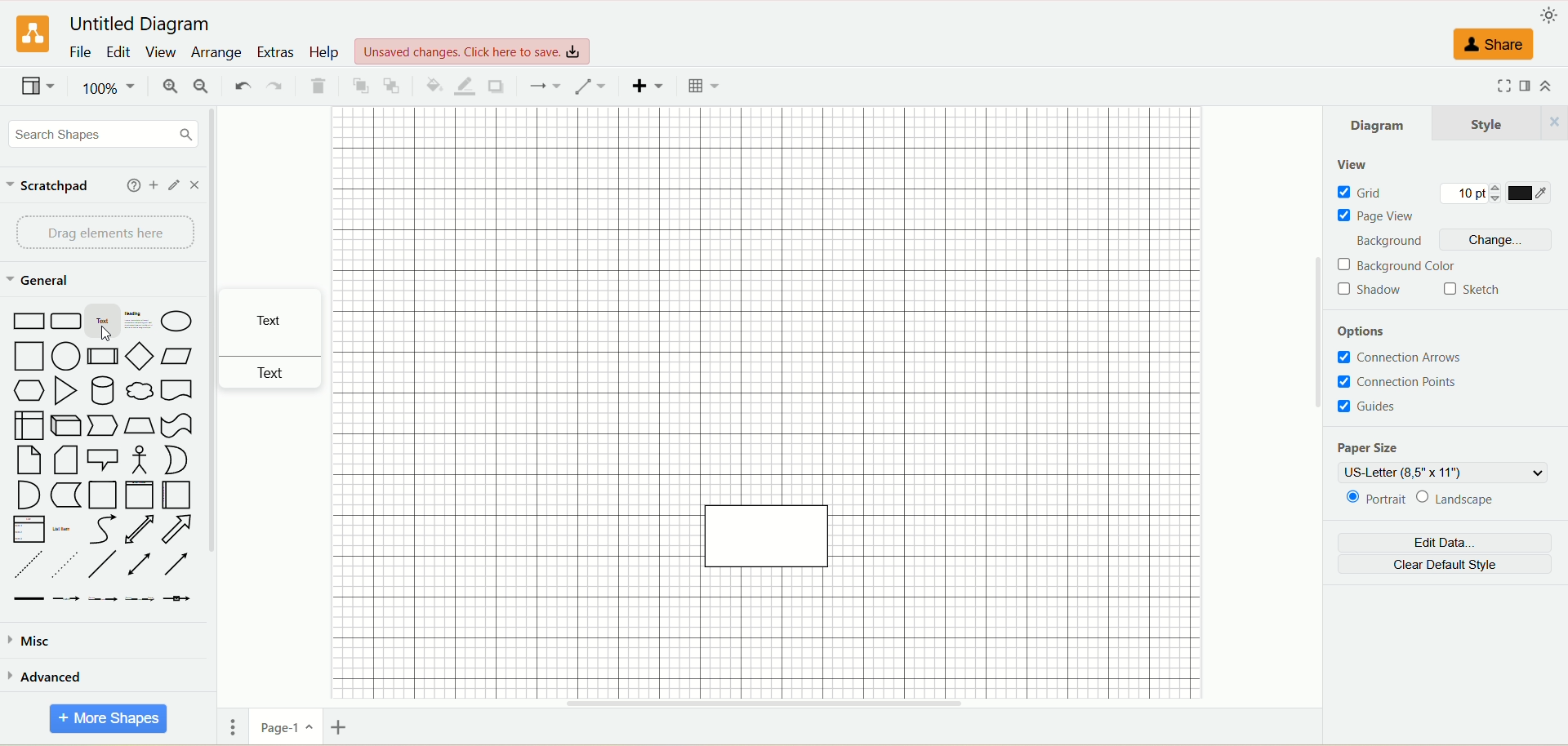 Image resolution: width=1568 pixels, height=746 pixels. What do you see at coordinates (33, 645) in the screenshot?
I see `misc` at bounding box center [33, 645].